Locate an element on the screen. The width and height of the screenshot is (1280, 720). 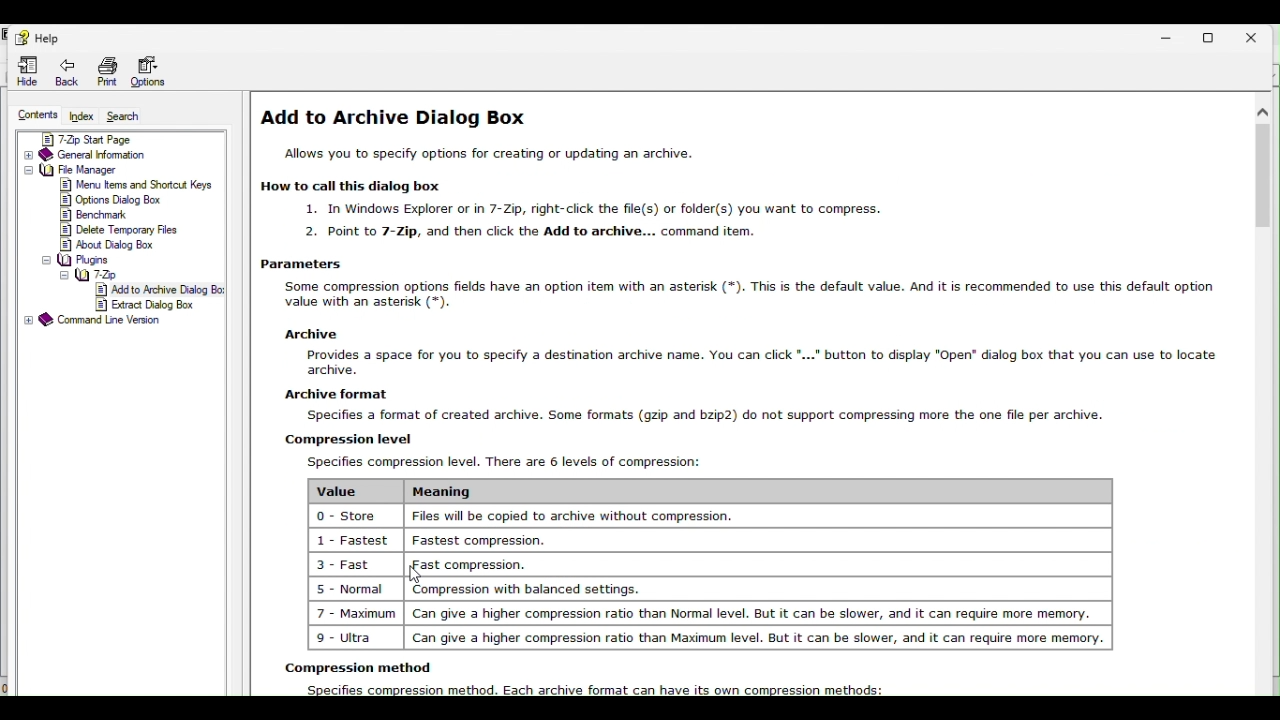
File Manager content is located at coordinates (117, 208).